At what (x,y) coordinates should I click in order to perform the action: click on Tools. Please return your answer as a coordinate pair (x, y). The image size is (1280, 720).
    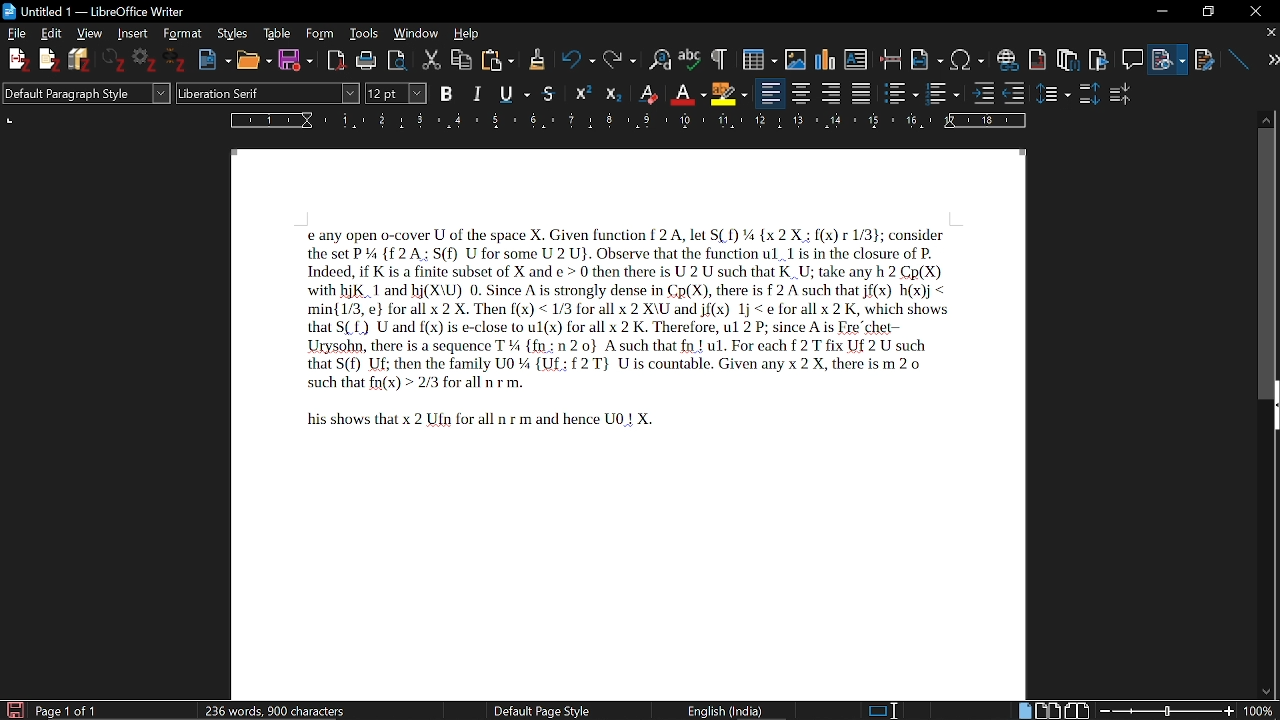
    Looking at the image, I should click on (361, 33).